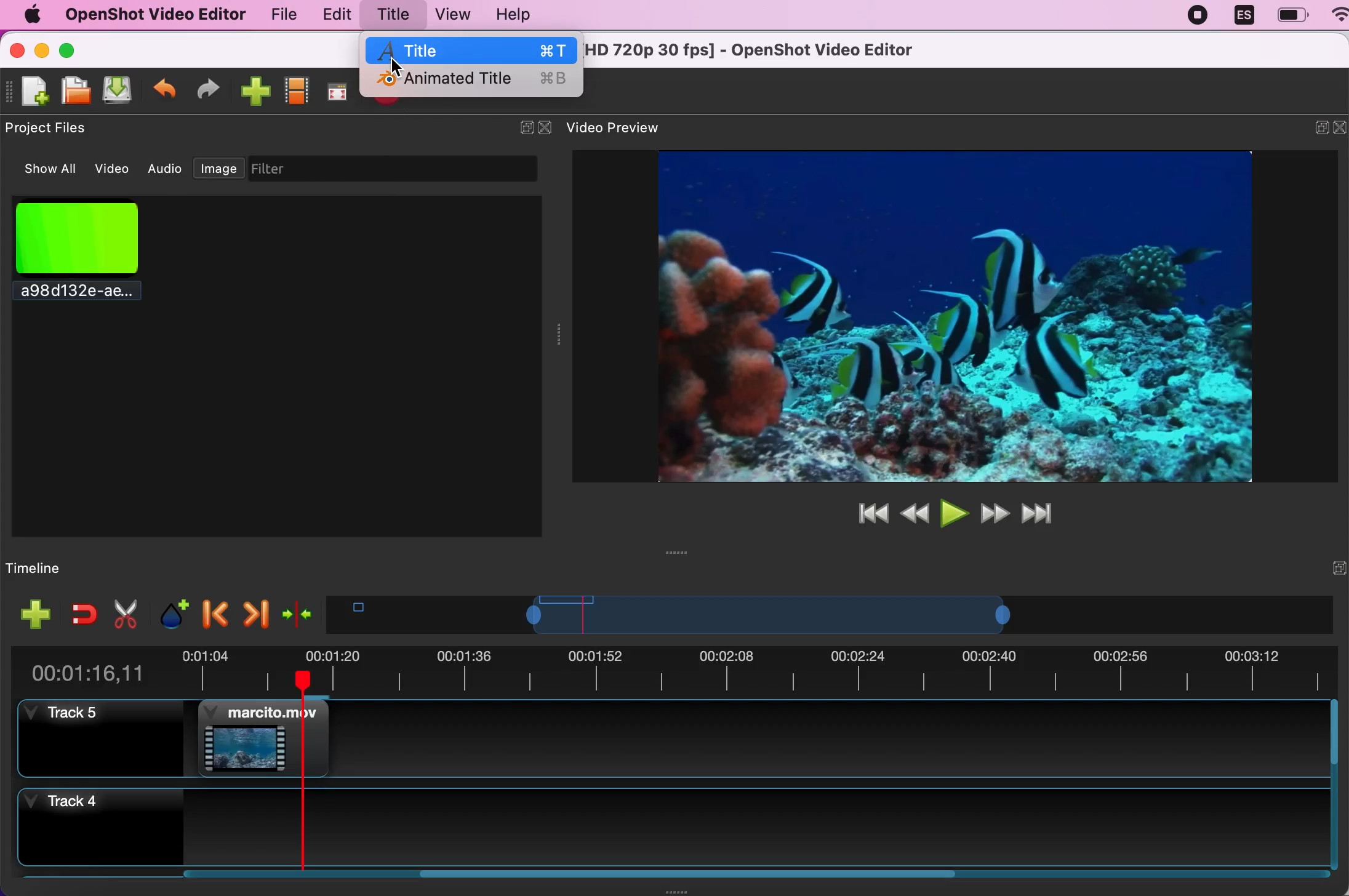 Image resolution: width=1349 pixels, height=896 pixels. I want to click on full screen, so click(340, 89).